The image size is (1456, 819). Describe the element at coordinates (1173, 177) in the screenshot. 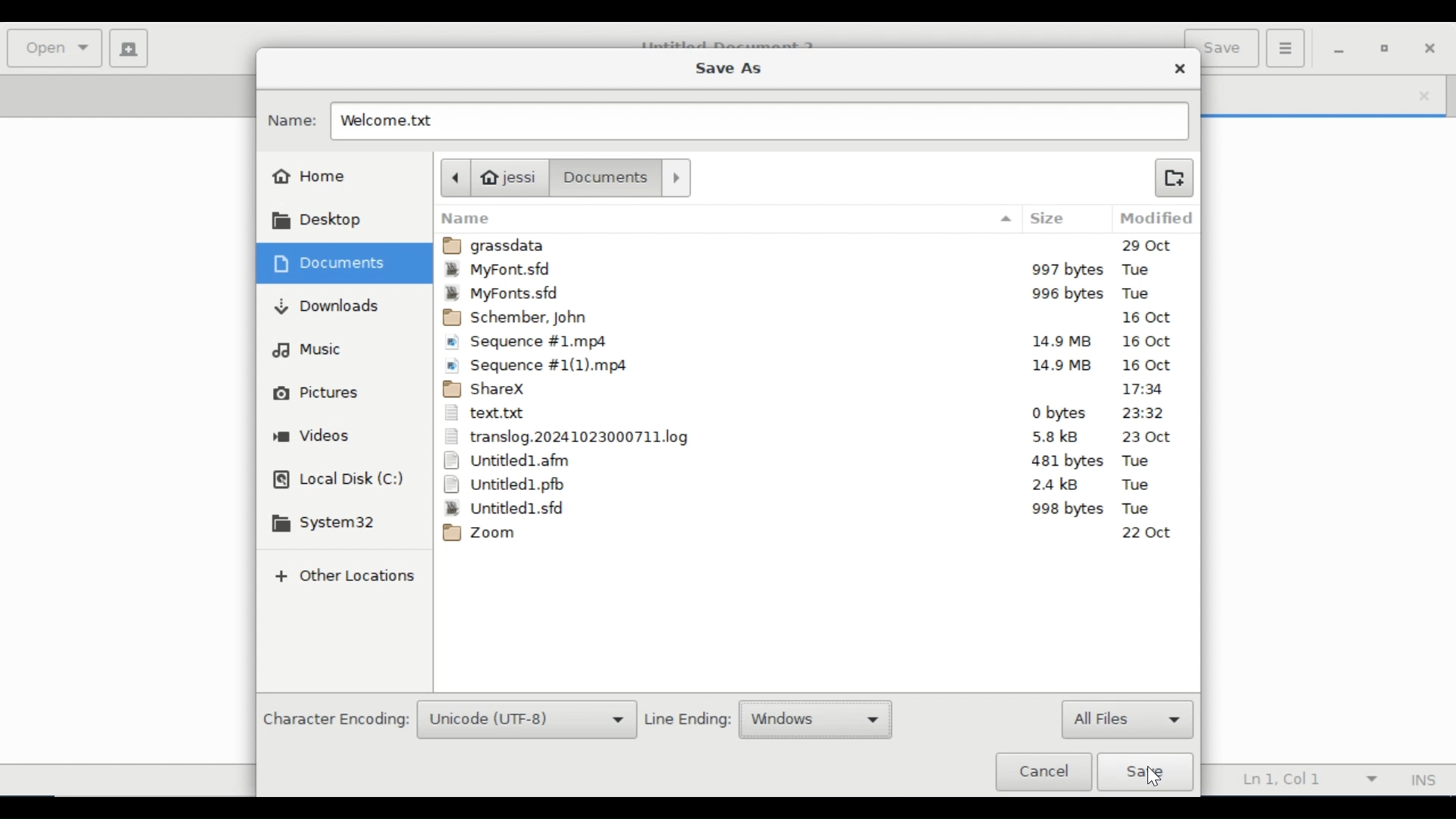

I see `Create Folder` at that location.